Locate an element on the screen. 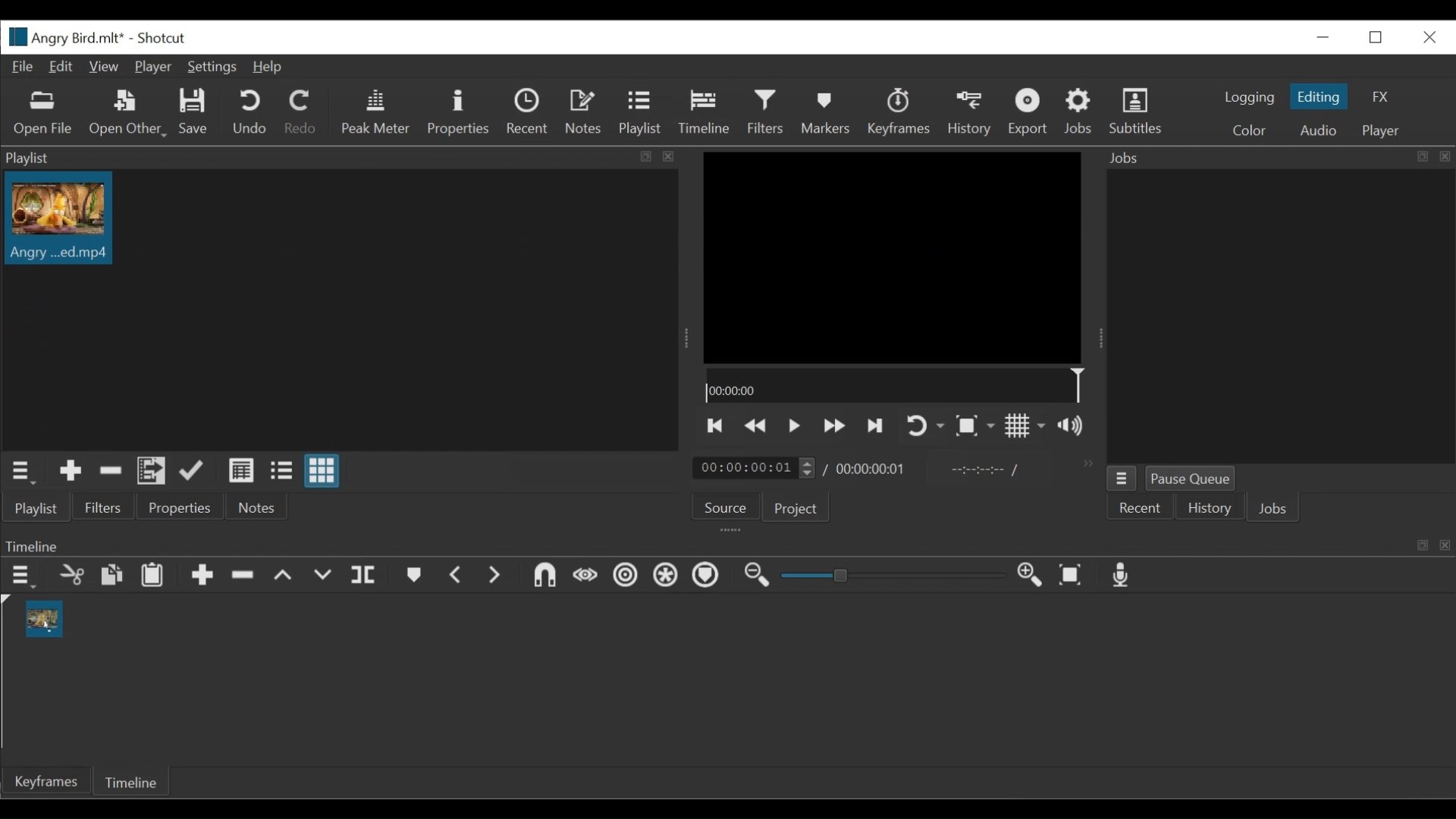  logging is located at coordinates (1247, 98).